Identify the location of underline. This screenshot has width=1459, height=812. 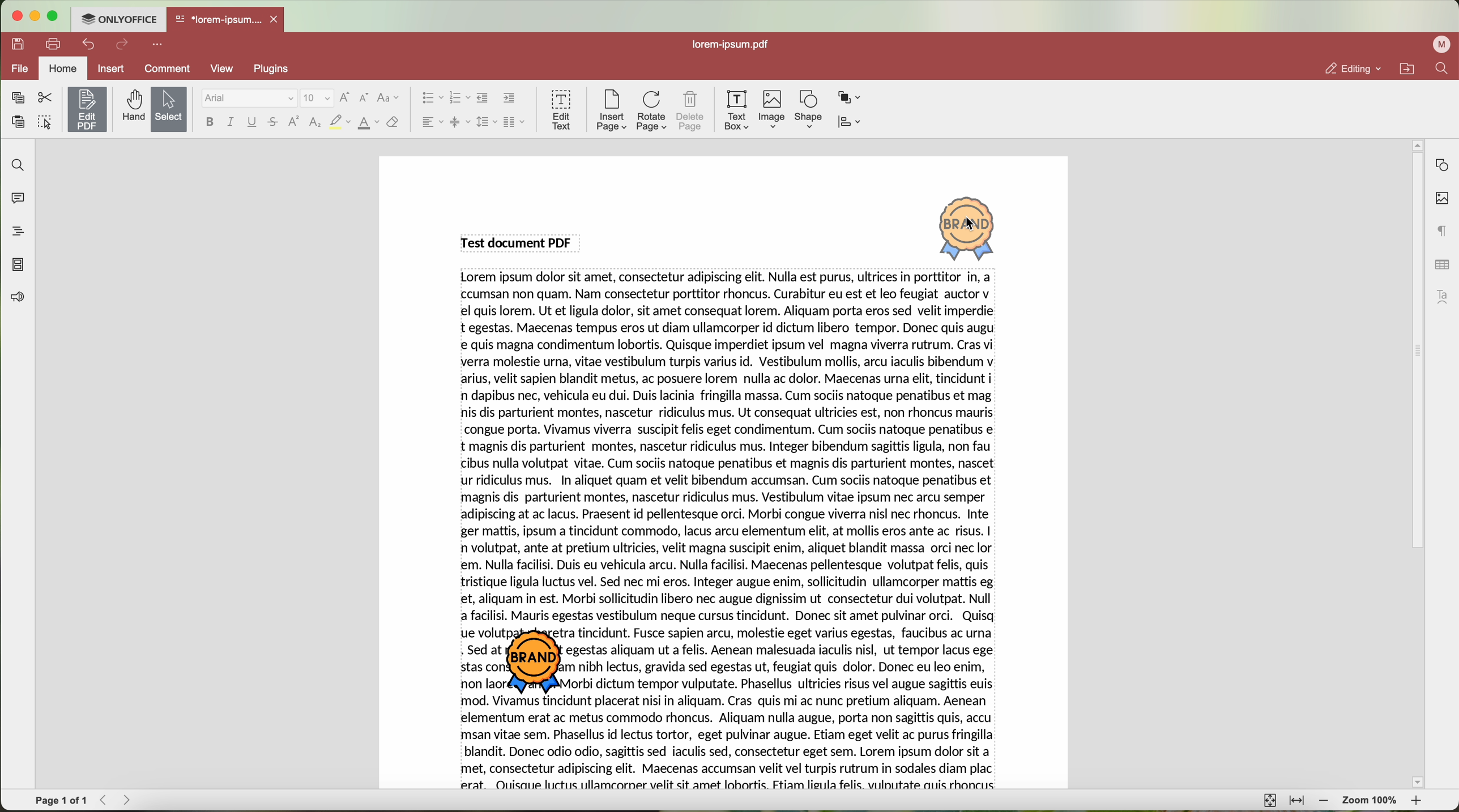
(253, 124).